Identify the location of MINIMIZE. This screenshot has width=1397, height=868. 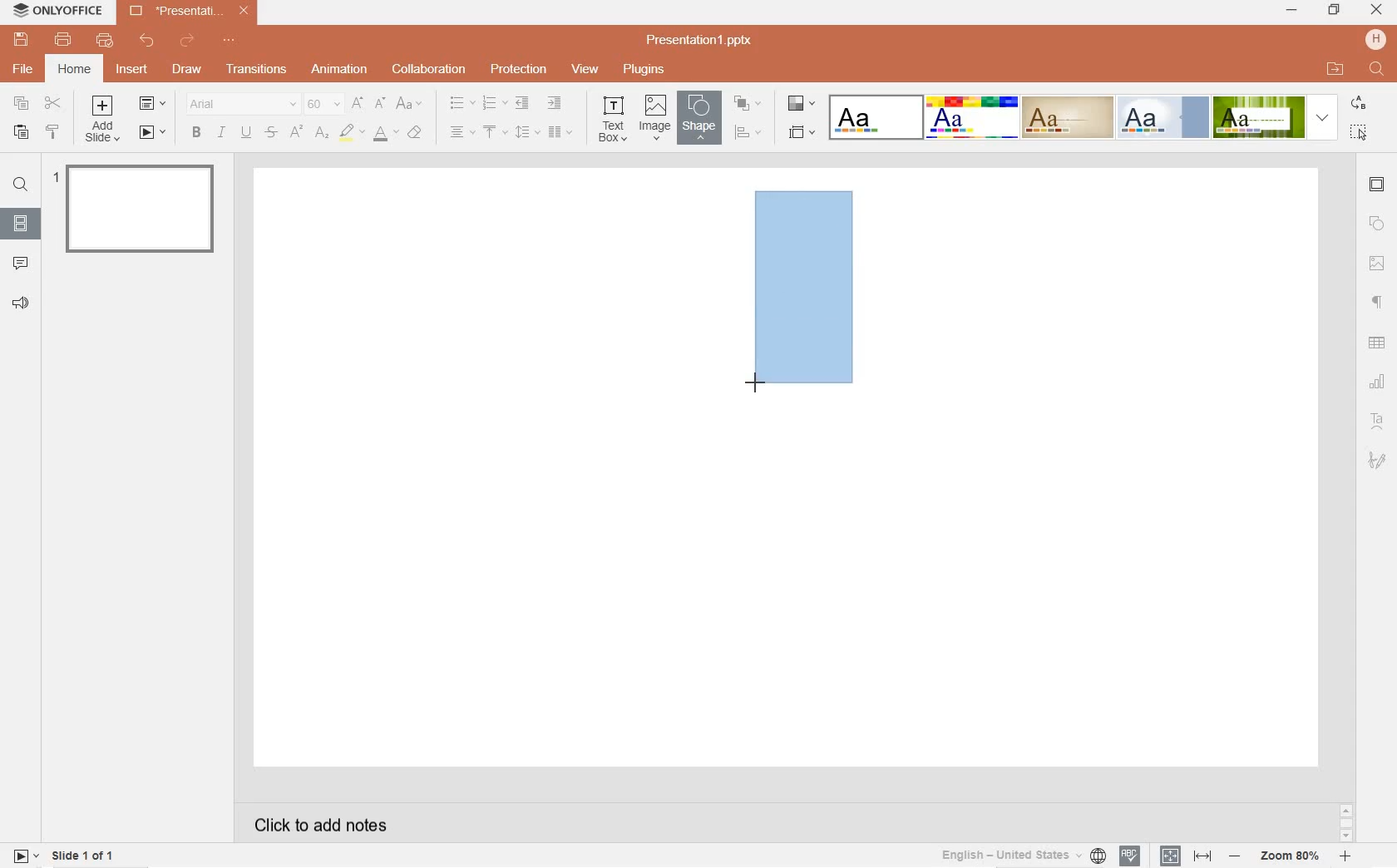
(1292, 12).